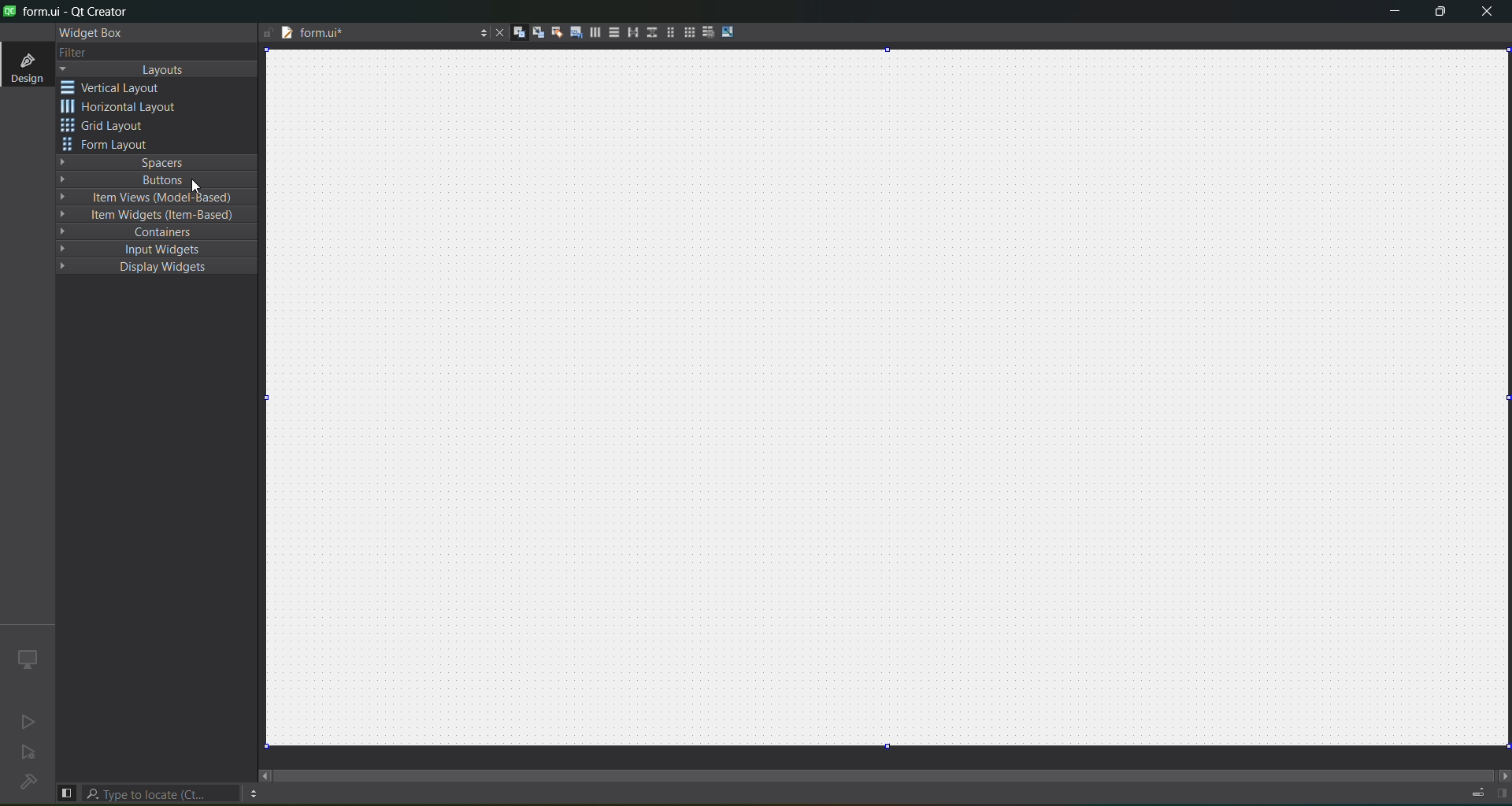  Describe the element at coordinates (576, 35) in the screenshot. I see `edit tab` at that location.